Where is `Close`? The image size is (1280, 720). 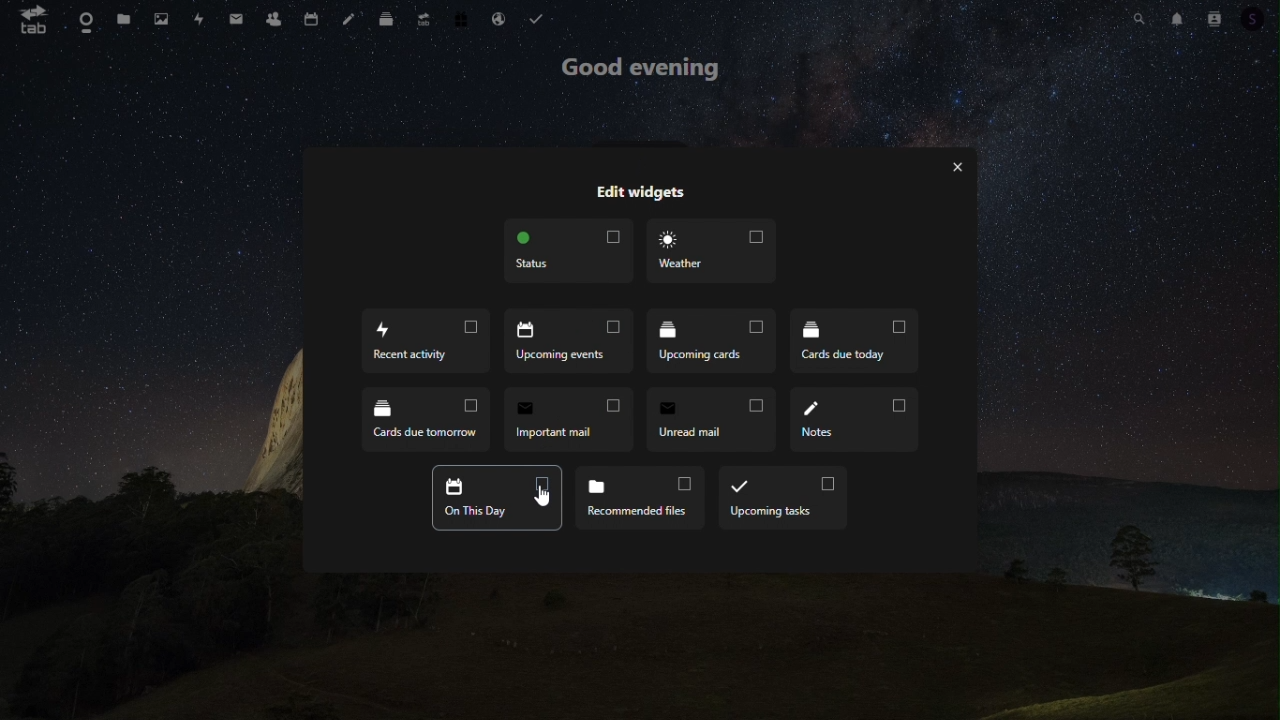
Close is located at coordinates (959, 167).